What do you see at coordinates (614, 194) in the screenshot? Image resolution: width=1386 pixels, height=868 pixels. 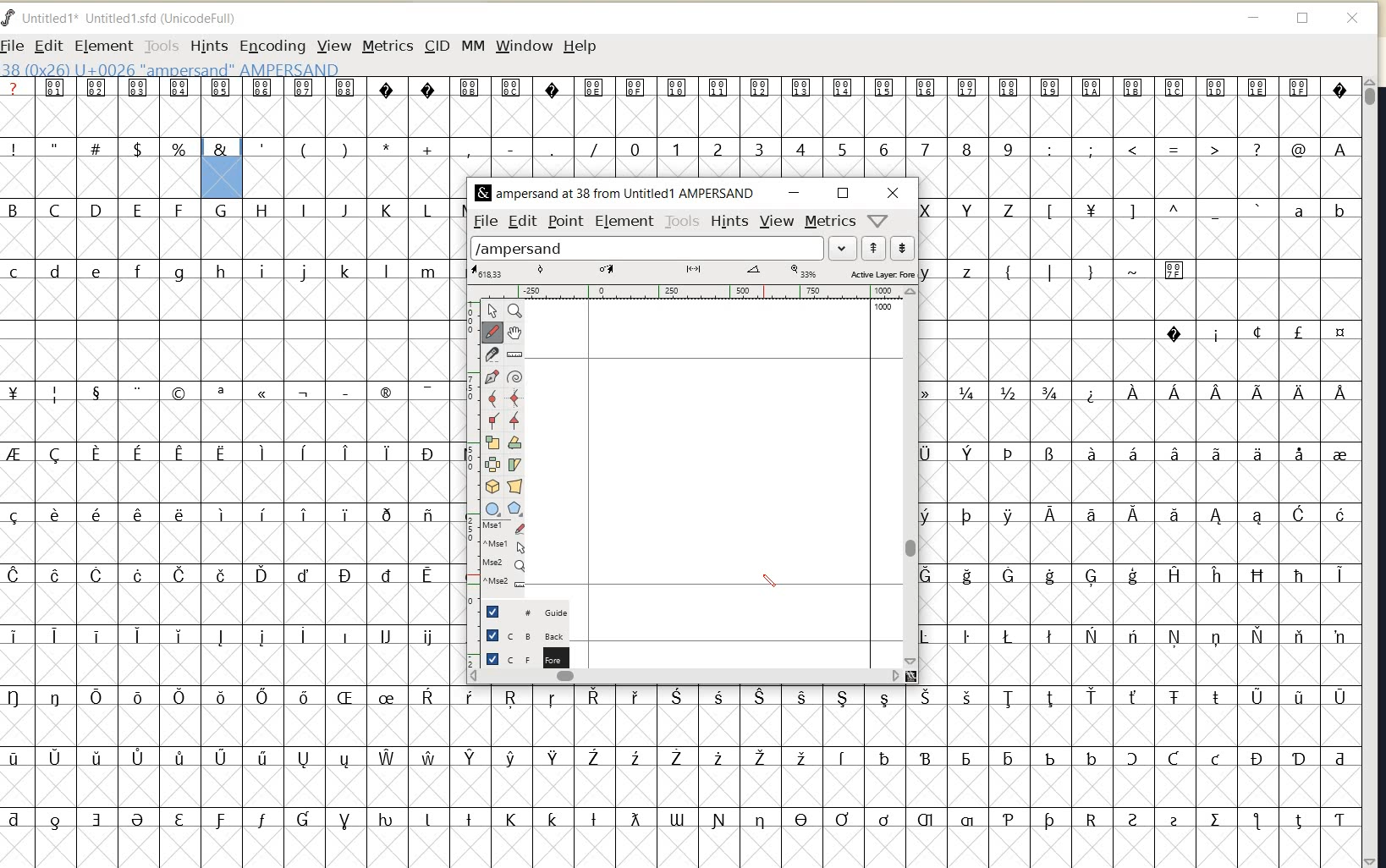 I see `FONT NAME` at bounding box center [614, 194].